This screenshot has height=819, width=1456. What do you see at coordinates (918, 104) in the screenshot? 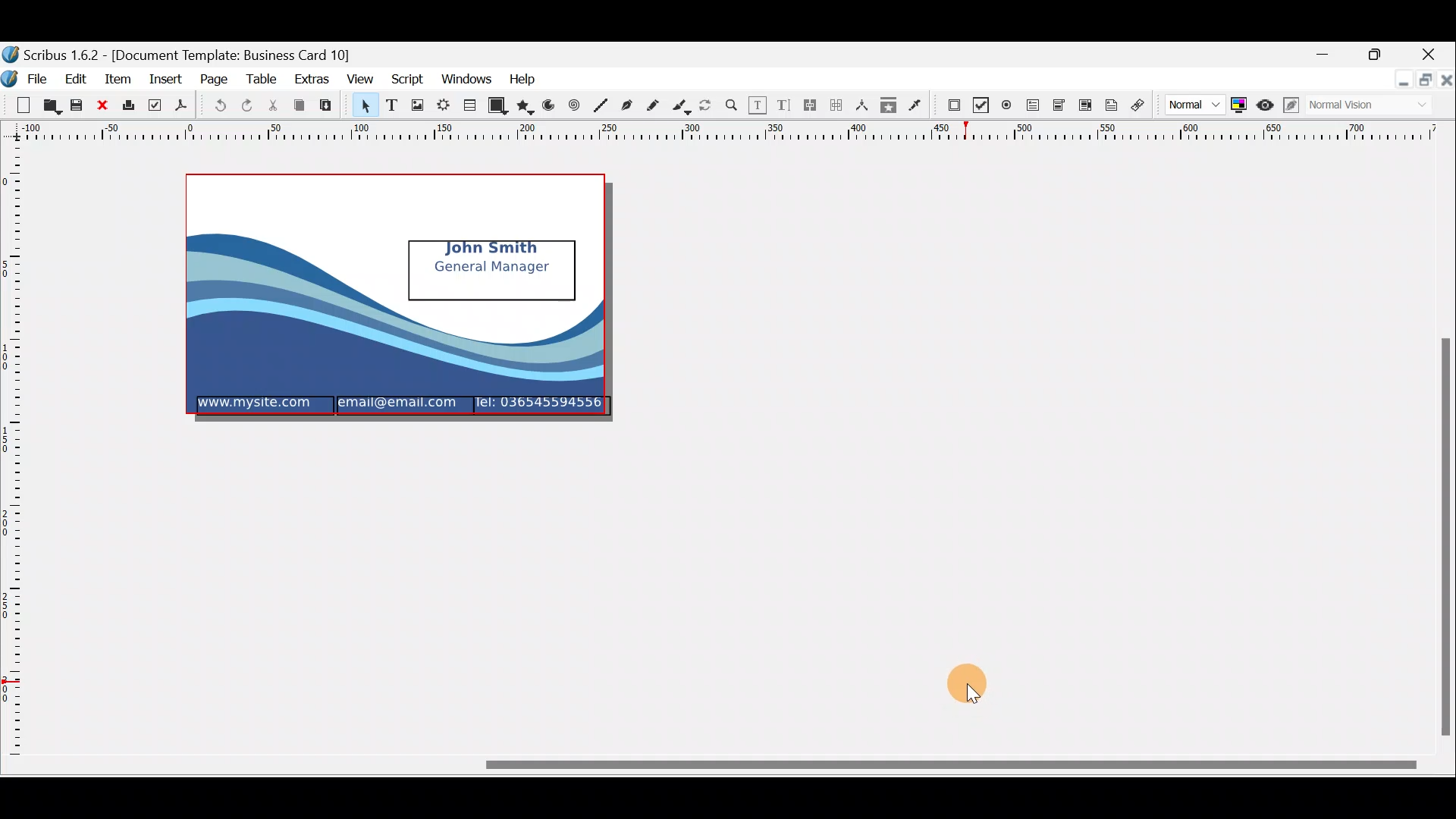
I see `Eye dropper` at bounding box center [918, 104].